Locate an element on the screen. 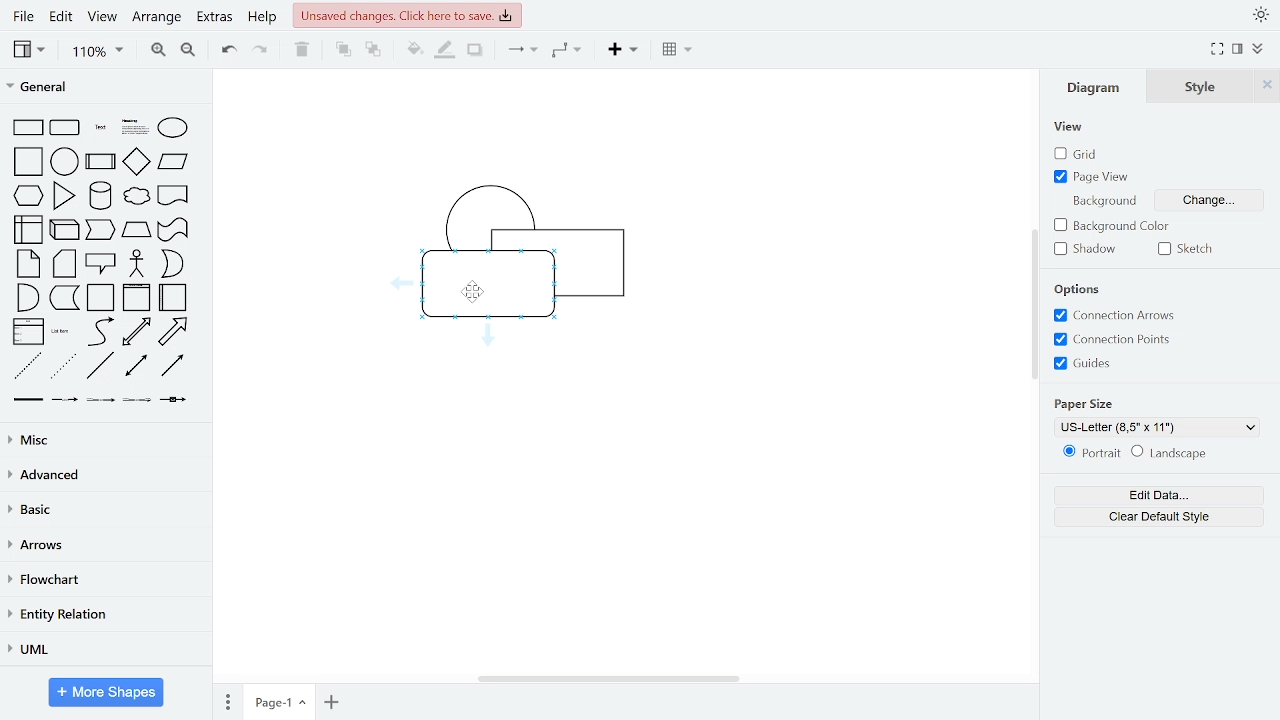 Image resolution: width=1280 pixels, height=720 pixels. edit data is located at coordinates (1154, 496).